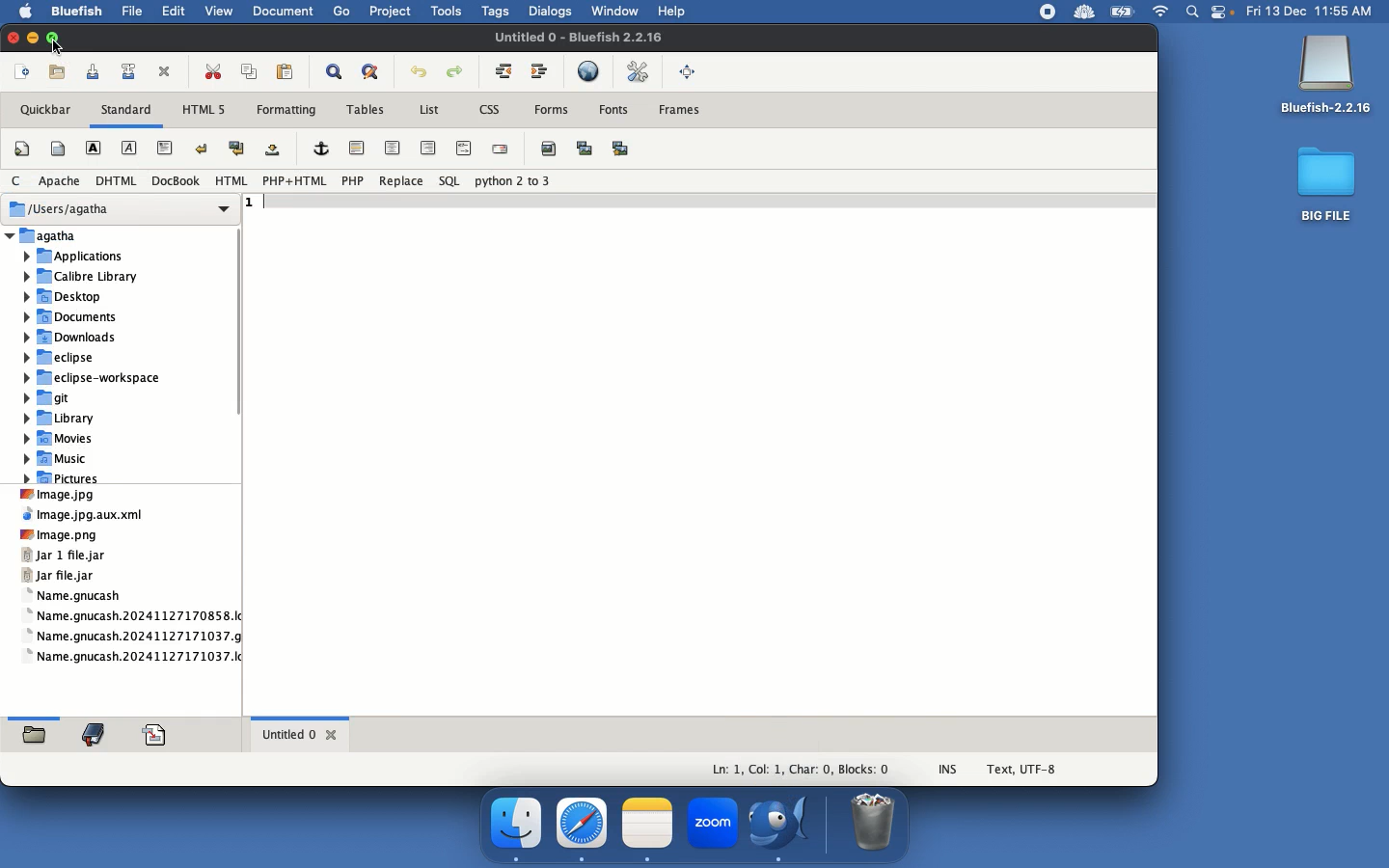 The height and width of the screenshot is (868, 1389). What do you see at coordinates (212, 72) in the screenshot?
I see `Cut` at bounding box center [212, 72].